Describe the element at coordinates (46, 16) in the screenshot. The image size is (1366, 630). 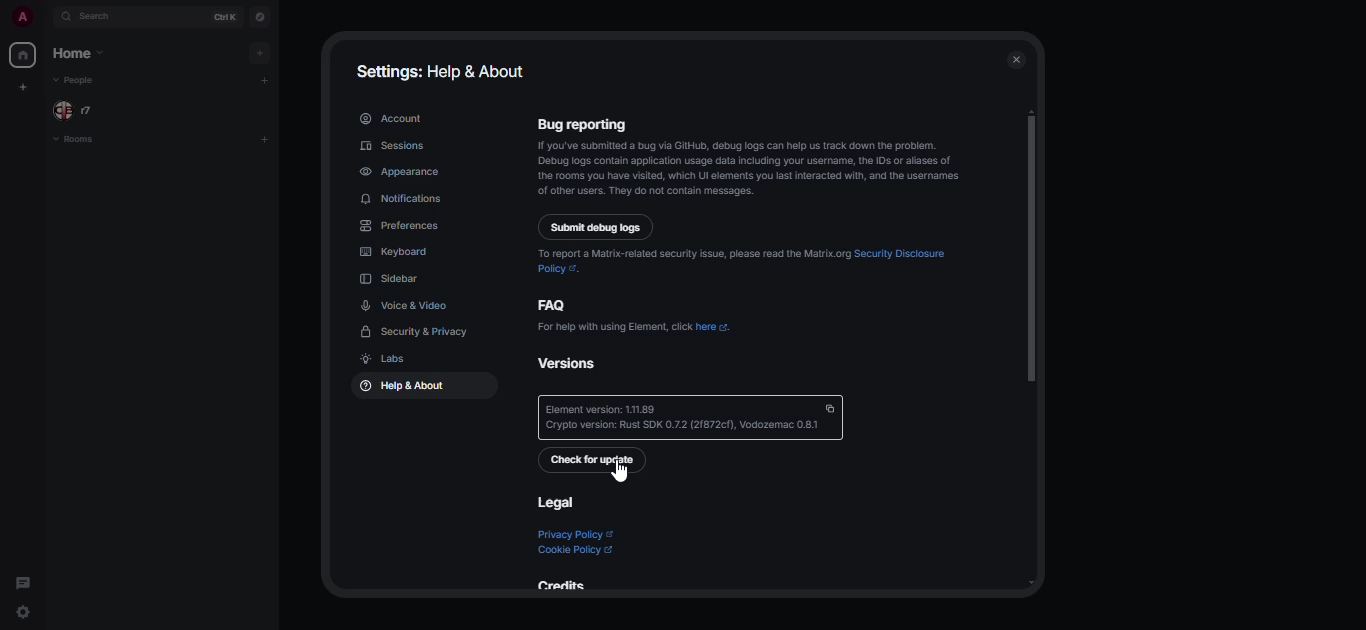
I see `expand` at that location.